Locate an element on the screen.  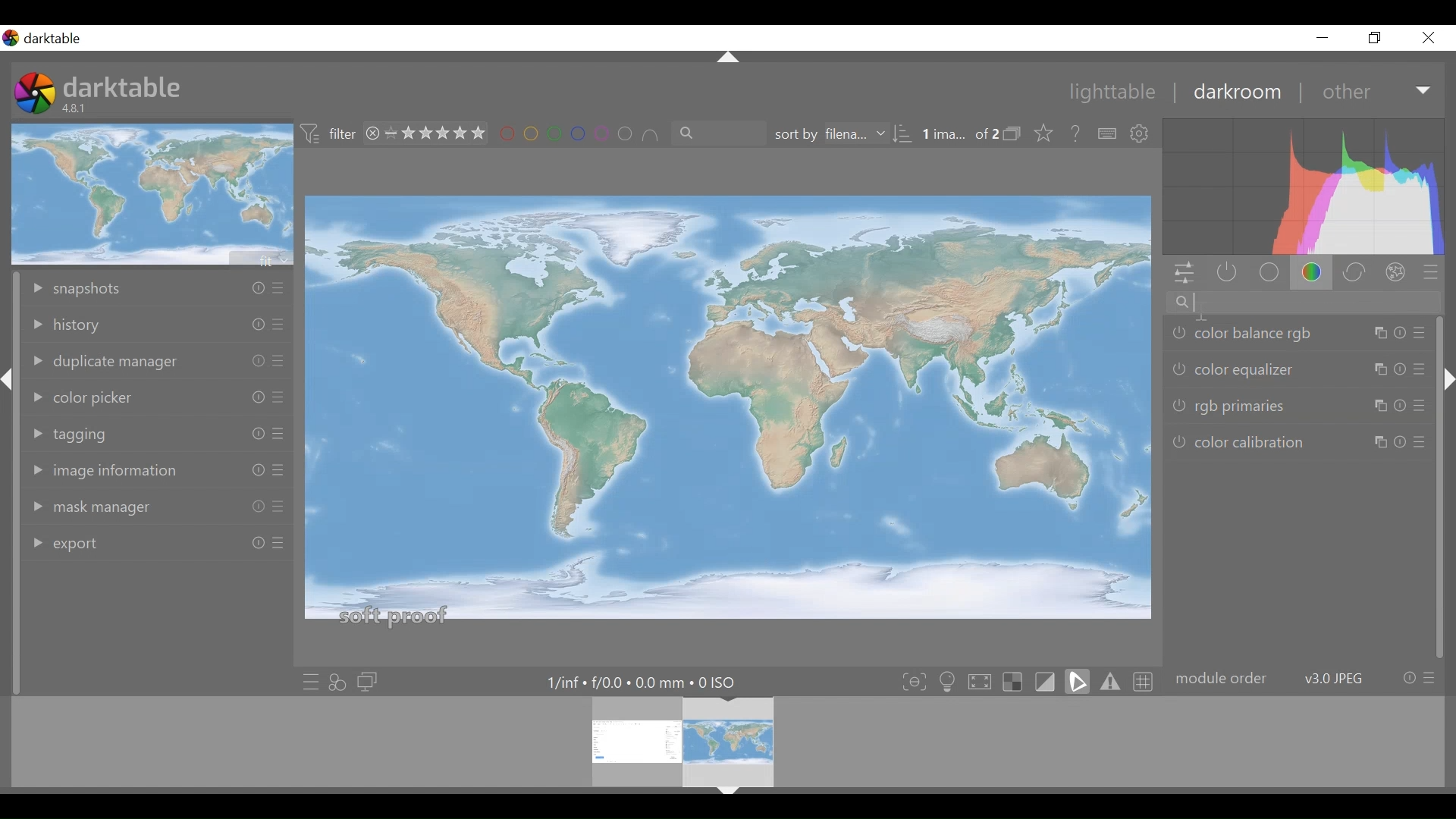
toggle guide lines is located at coordinates (1145, 680).